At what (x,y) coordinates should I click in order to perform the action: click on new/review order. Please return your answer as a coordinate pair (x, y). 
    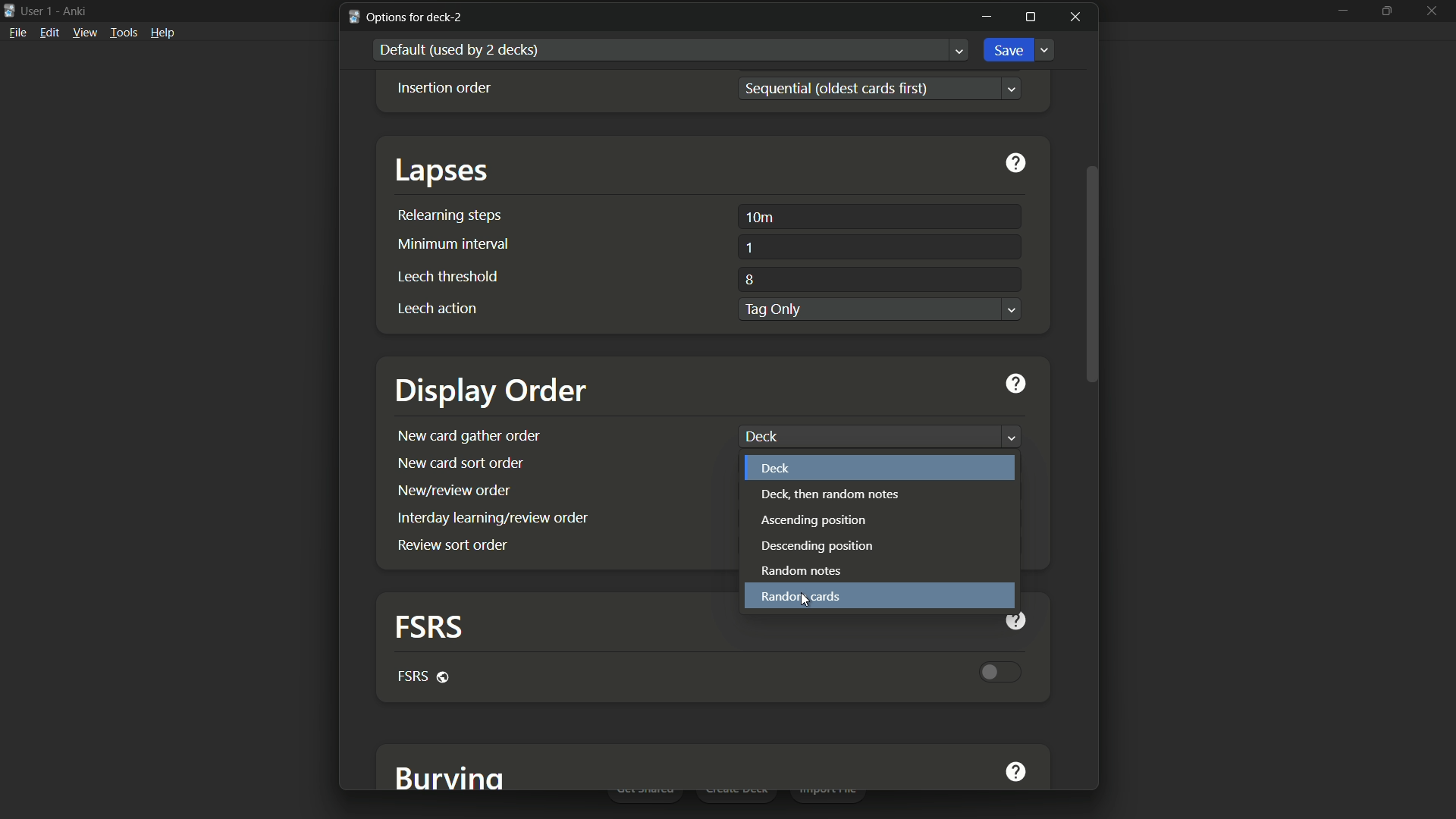
    Looking at the image, I should click on (453, 489).